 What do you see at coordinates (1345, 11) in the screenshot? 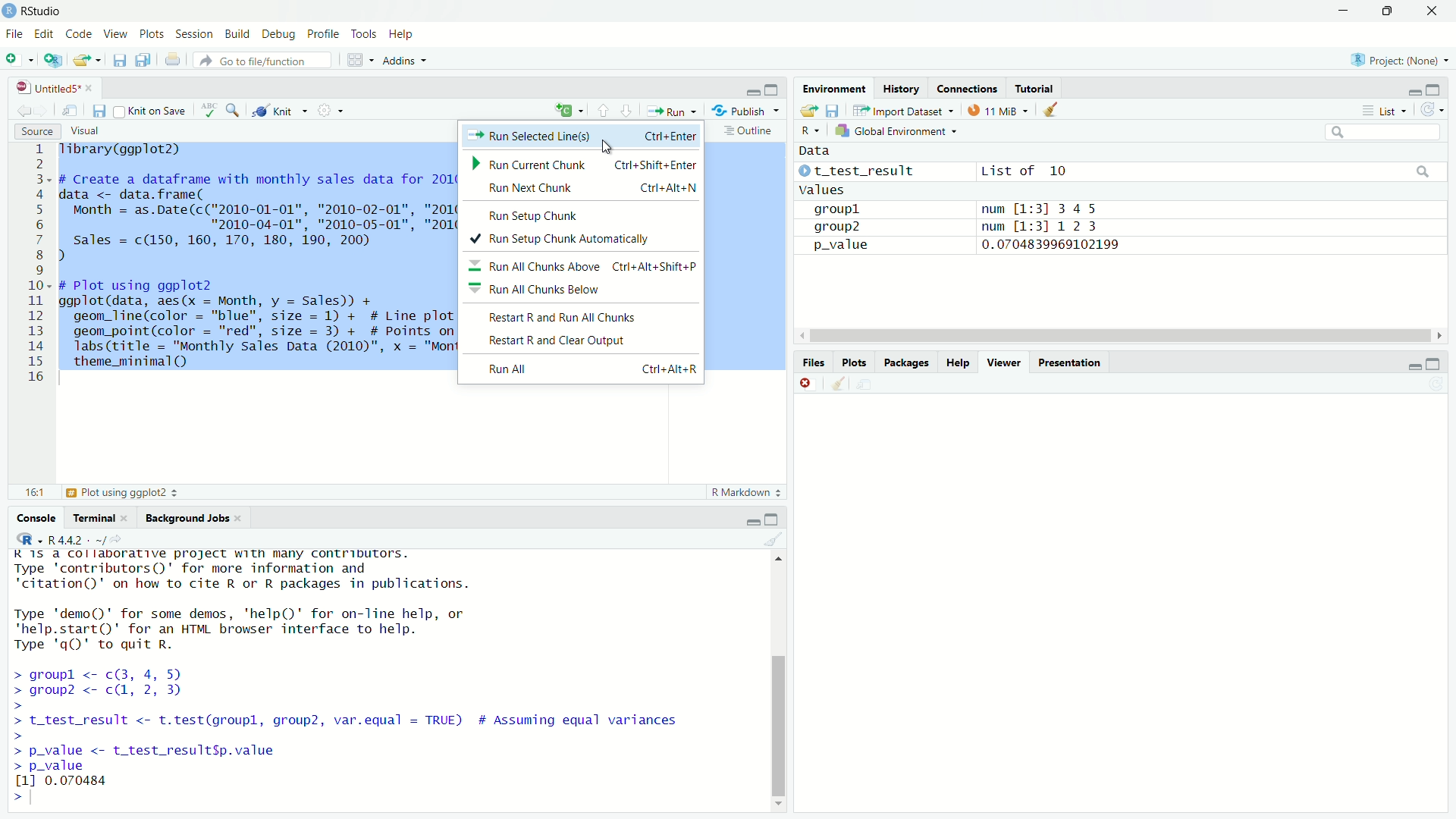
I see `minimise` at bounding box center [1345, 11].